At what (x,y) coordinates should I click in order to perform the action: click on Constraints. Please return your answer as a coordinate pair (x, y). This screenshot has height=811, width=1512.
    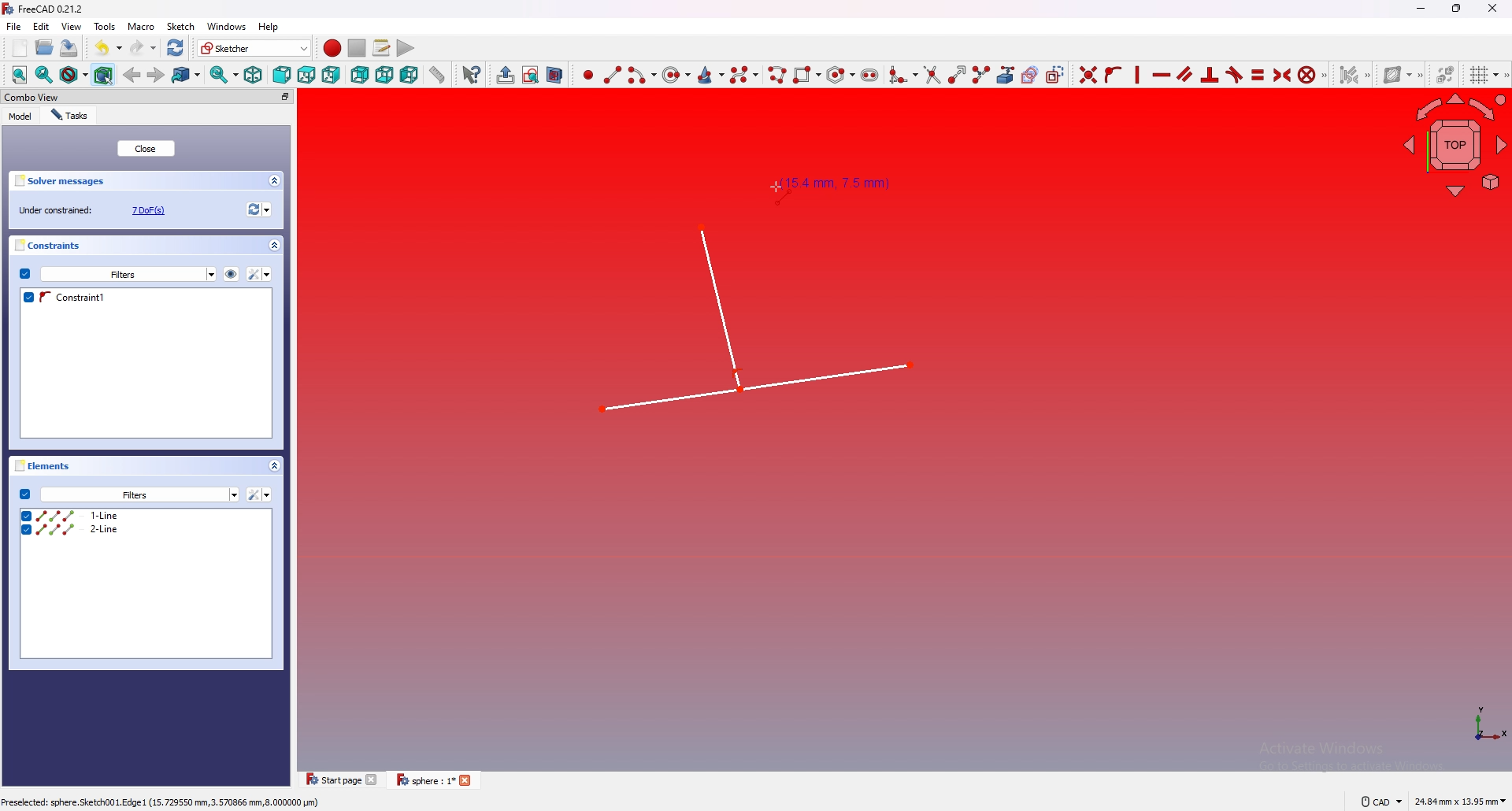
    Looking at the image, I should click on (148, 246).